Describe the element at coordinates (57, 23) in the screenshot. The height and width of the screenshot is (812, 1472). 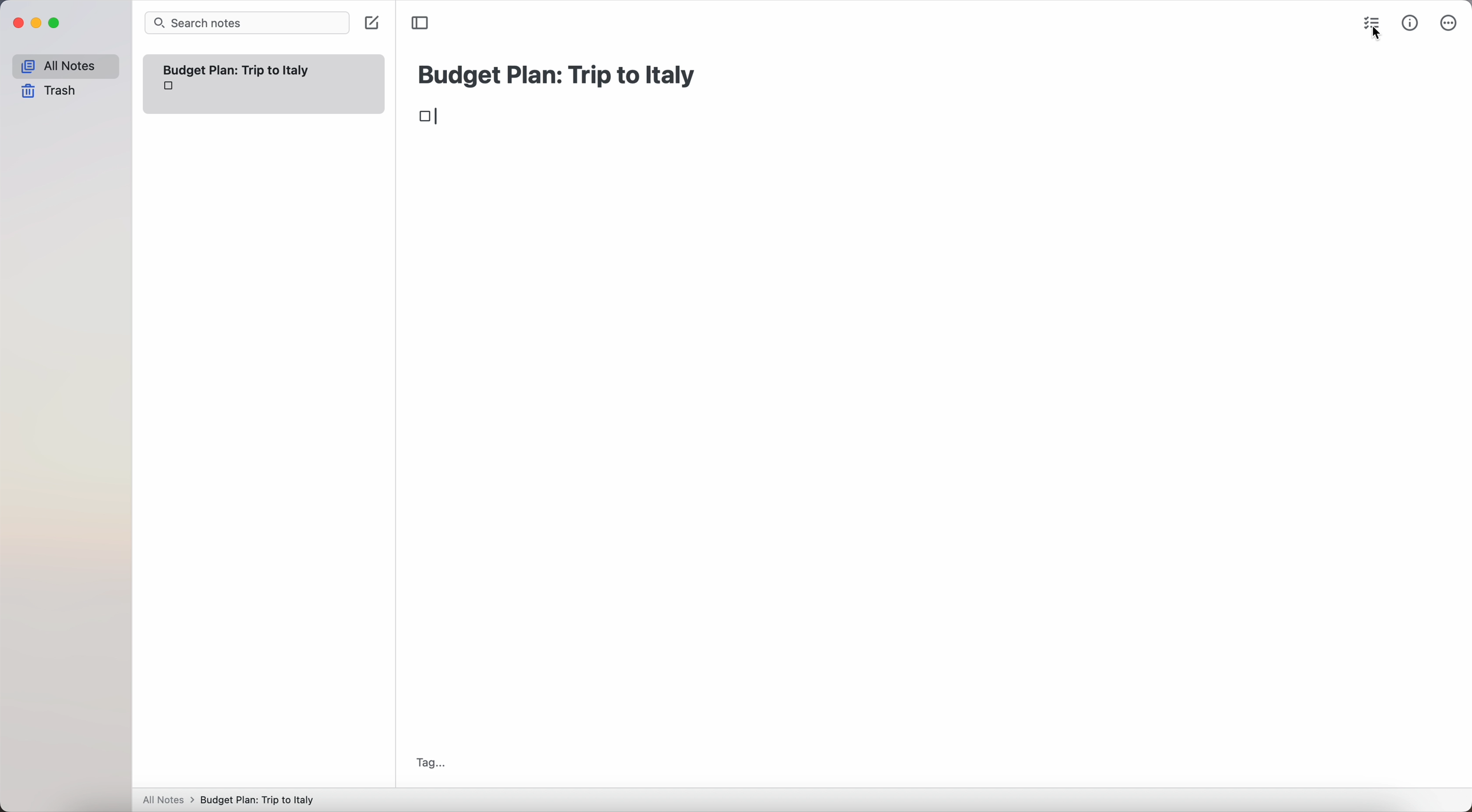
I see `maximize` at that location.